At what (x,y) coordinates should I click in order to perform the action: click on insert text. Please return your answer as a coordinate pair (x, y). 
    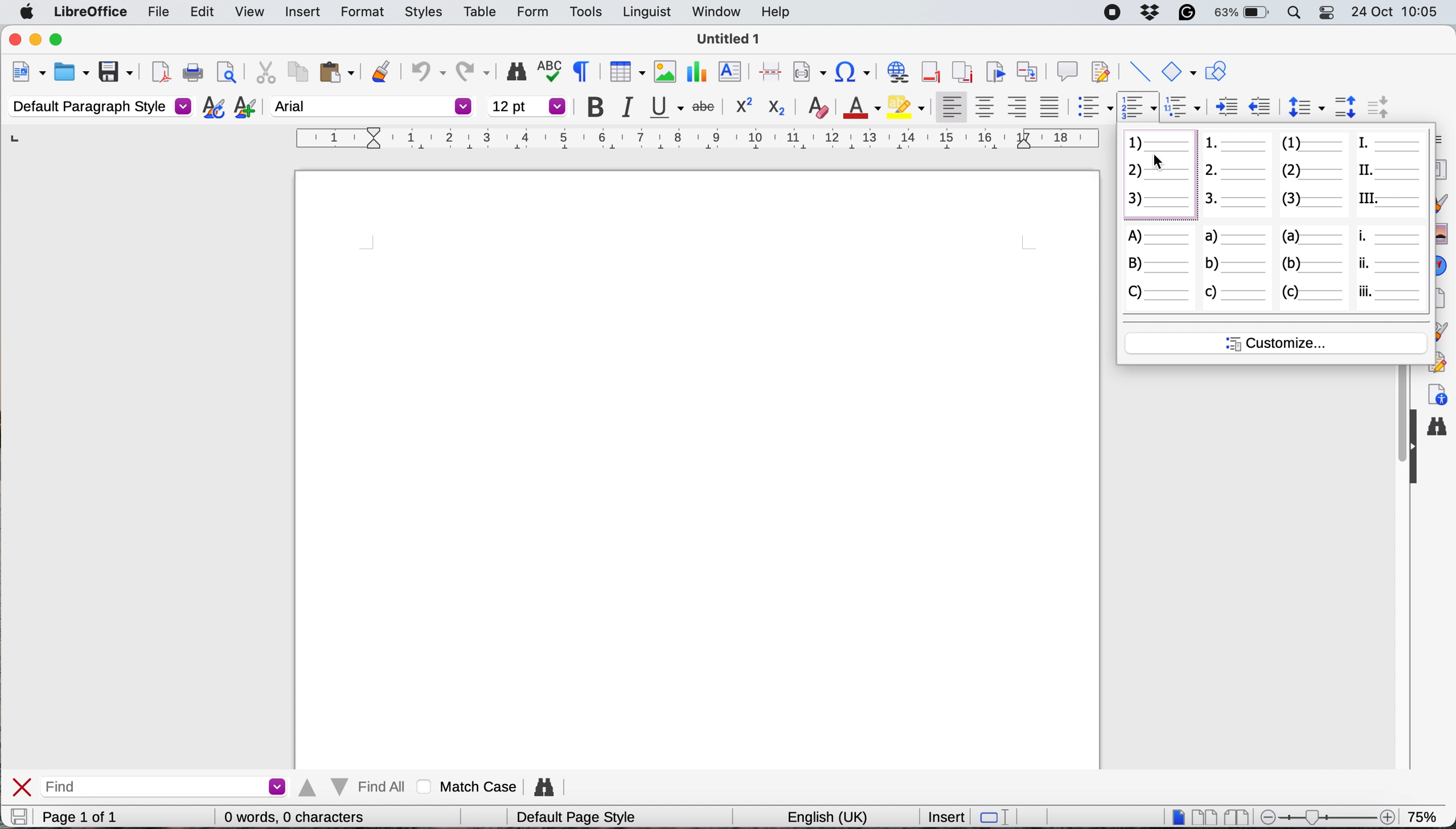
    Looking at the image, I should click on (732, 72).